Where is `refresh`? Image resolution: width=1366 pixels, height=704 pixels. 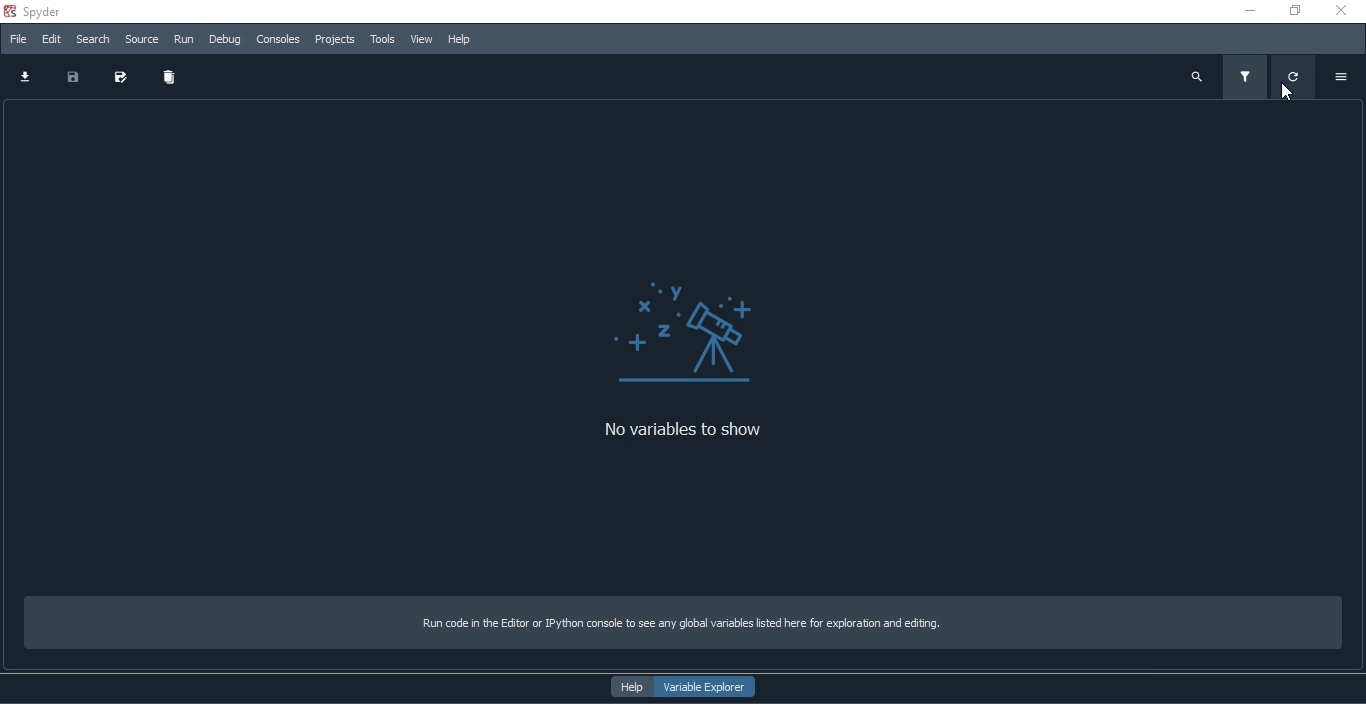
refresh is located at coordinates (1295, 80).